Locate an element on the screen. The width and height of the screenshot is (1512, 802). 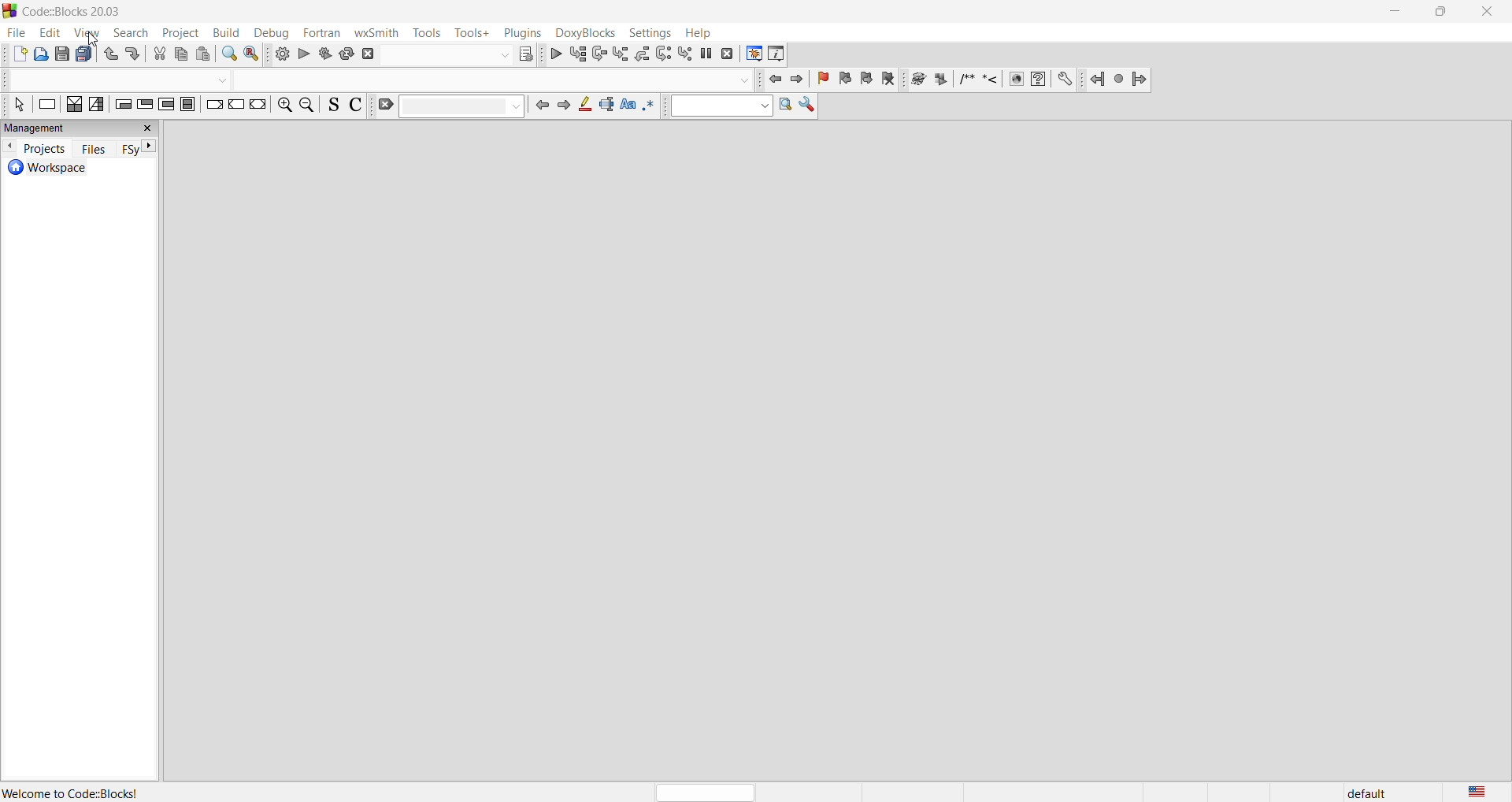
clear is located at coordinates (451, 106).